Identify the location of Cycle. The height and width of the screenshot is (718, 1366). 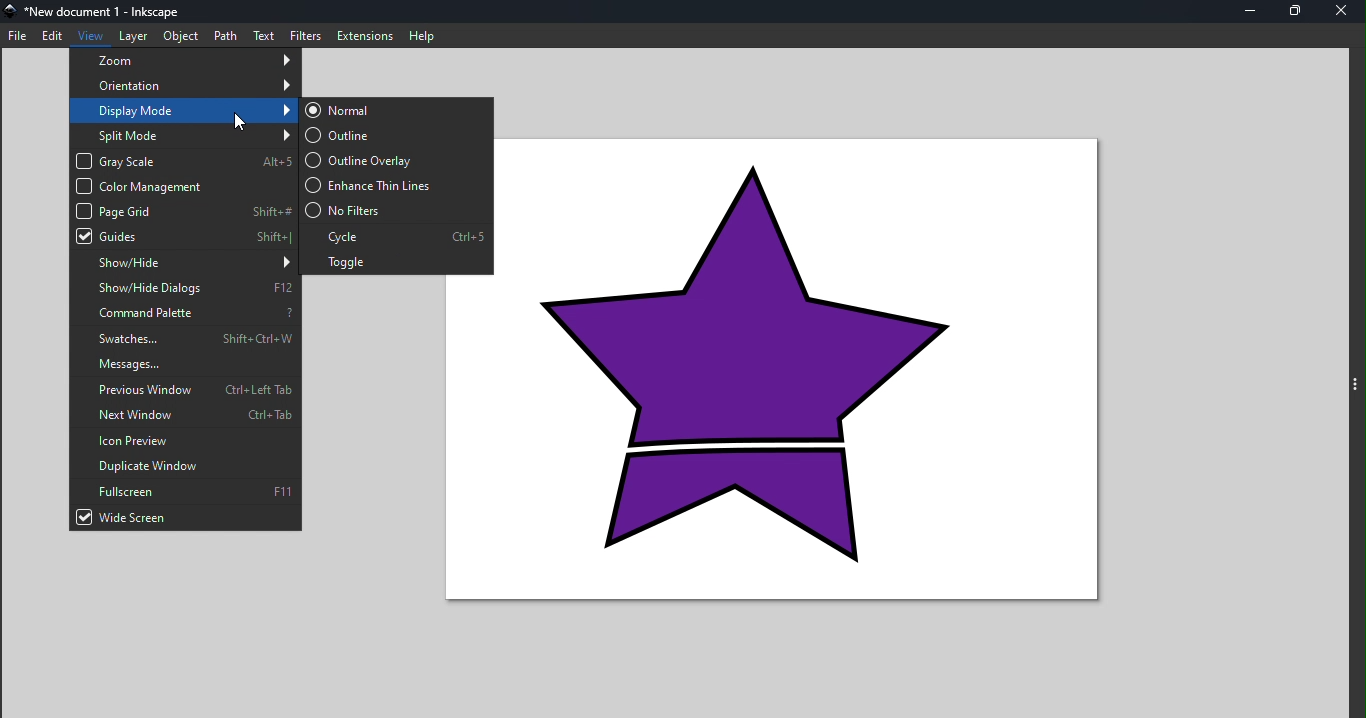
(397, 235).